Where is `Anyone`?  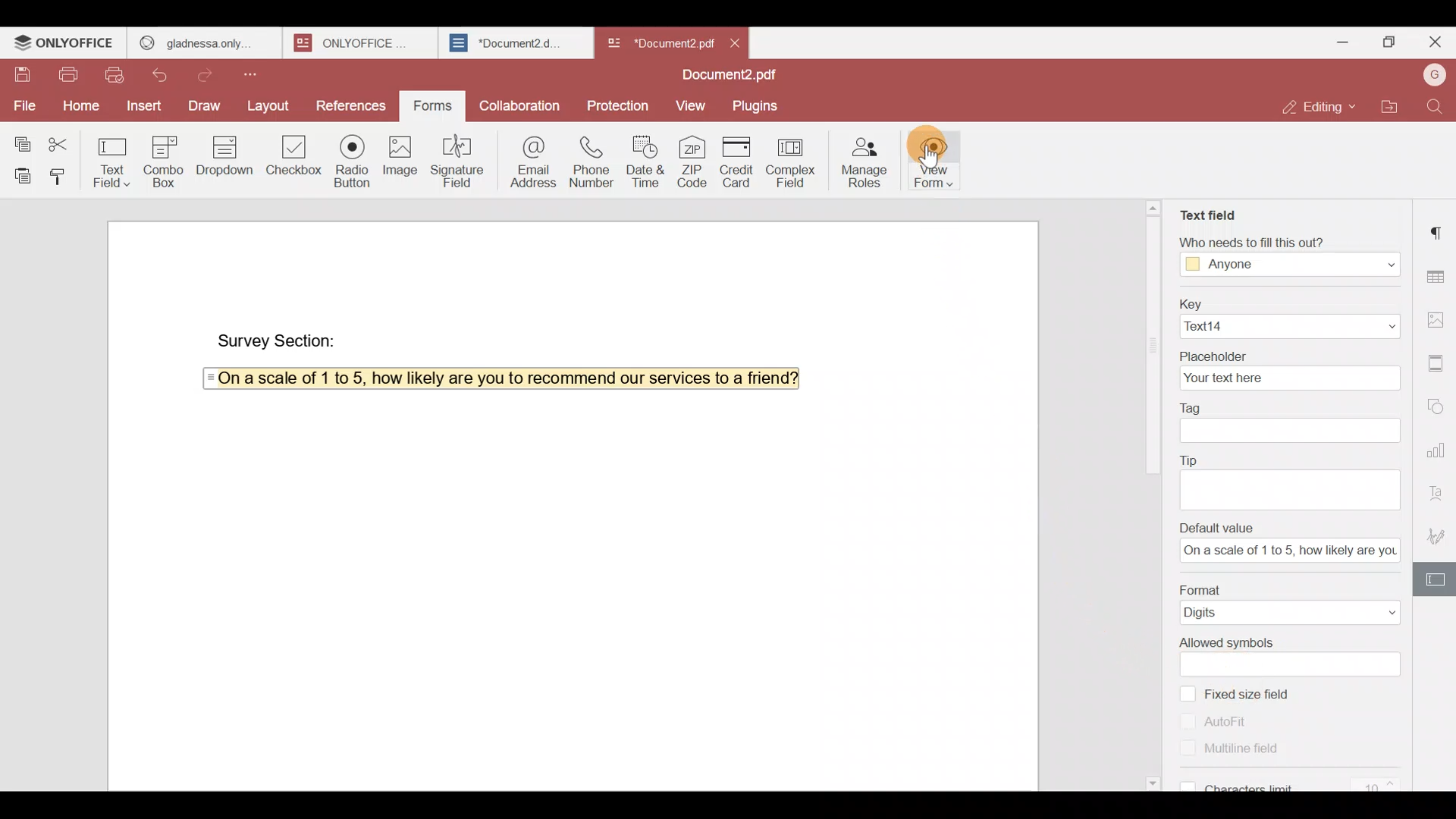 Anyone is located at coordinates (1289, 265).